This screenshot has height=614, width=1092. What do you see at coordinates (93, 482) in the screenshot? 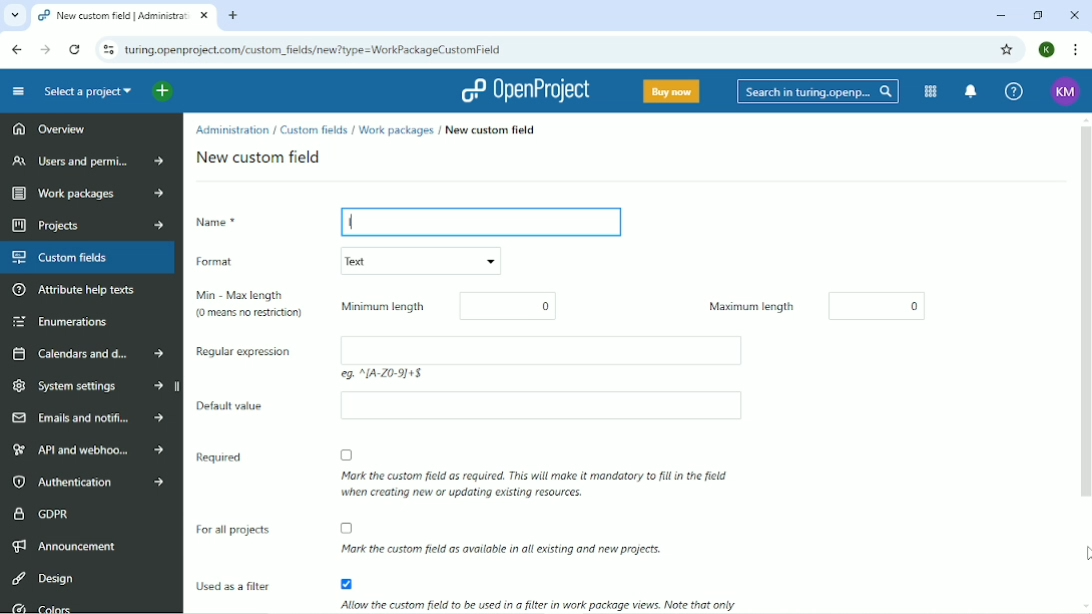
I see `Authentication` at bounding box center [93, 482].